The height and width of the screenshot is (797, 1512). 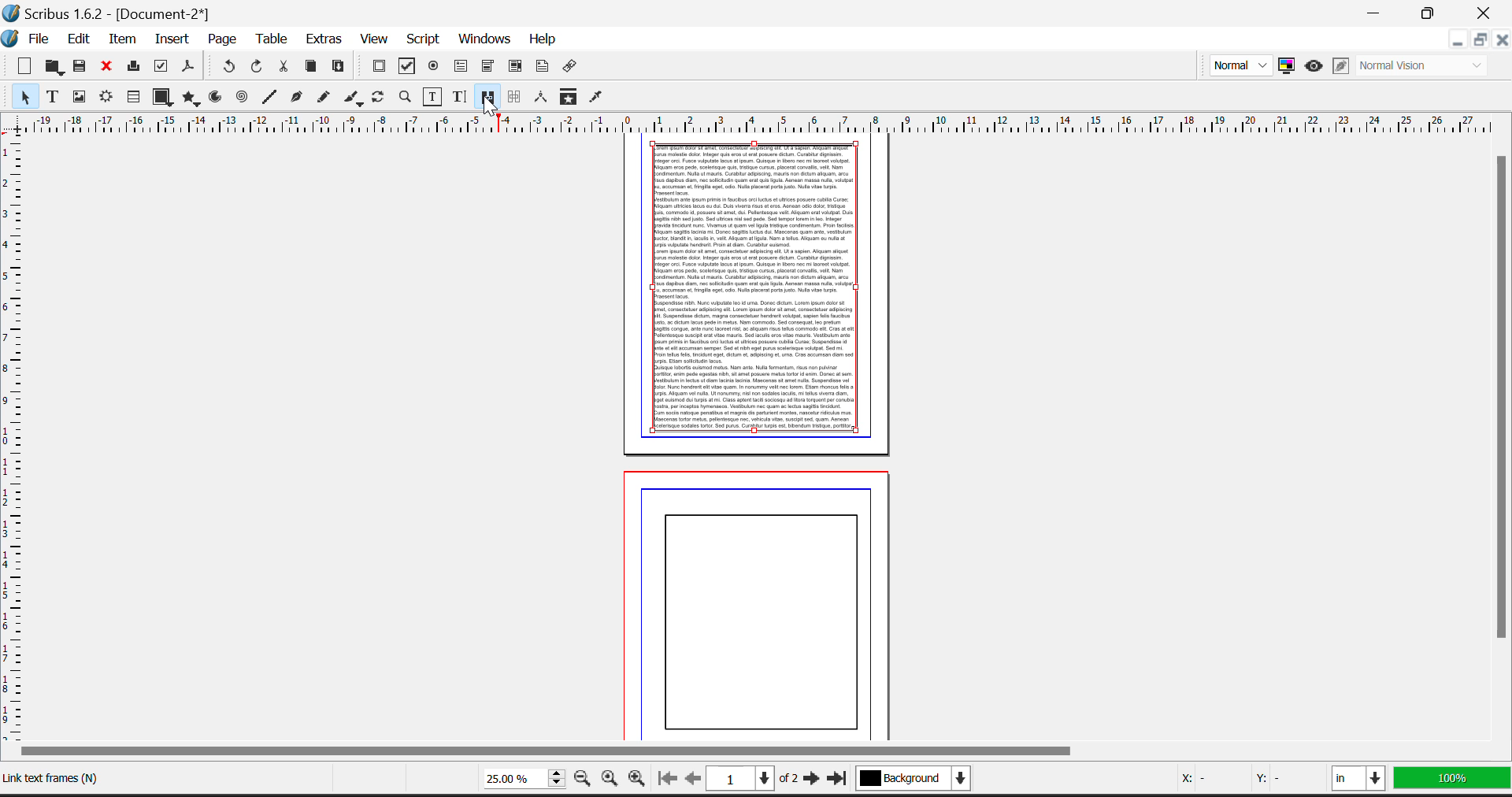 I want to click on PDF List Box, so click(x=516, y=67).